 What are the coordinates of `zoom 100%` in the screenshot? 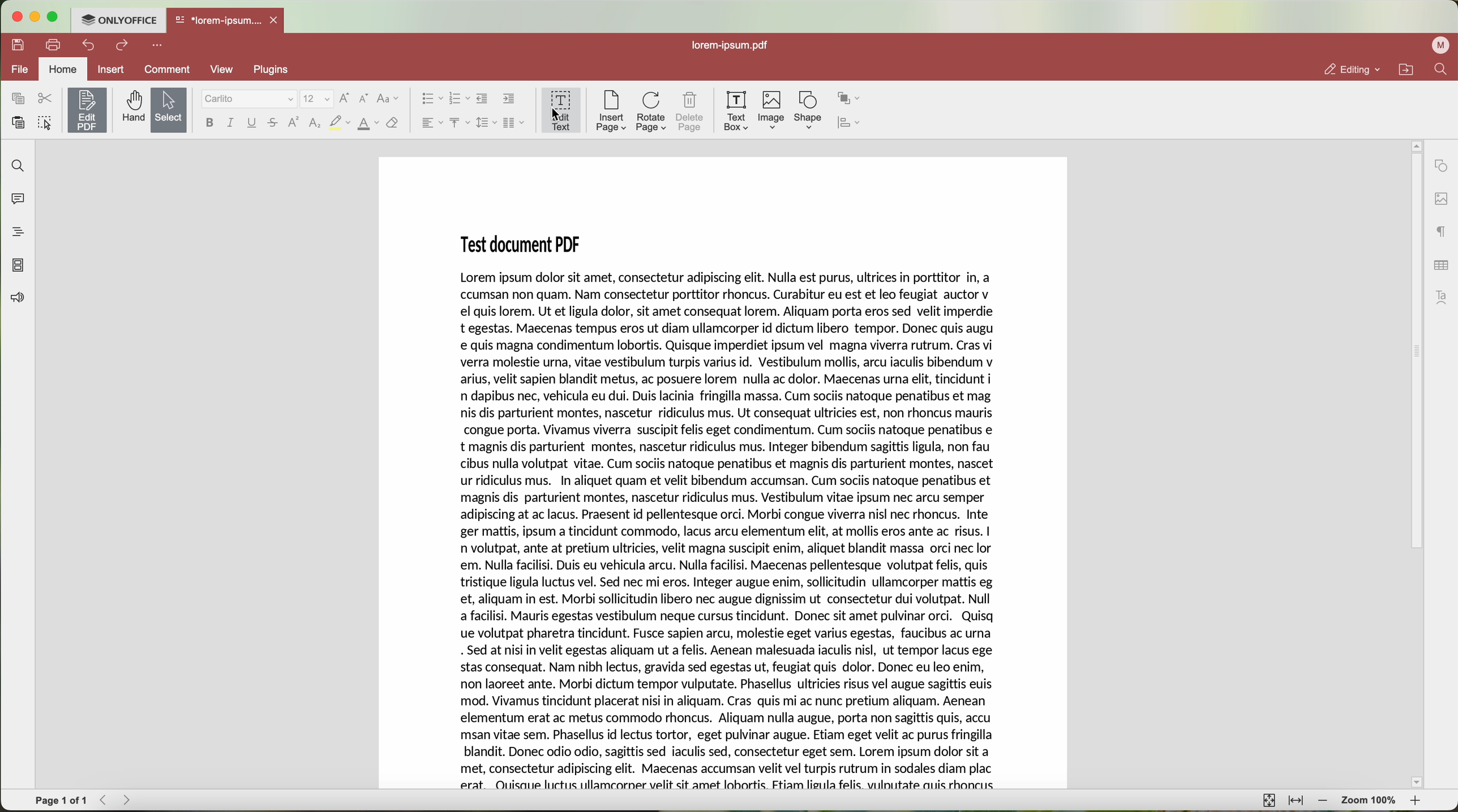 It's located at (1370, 801).